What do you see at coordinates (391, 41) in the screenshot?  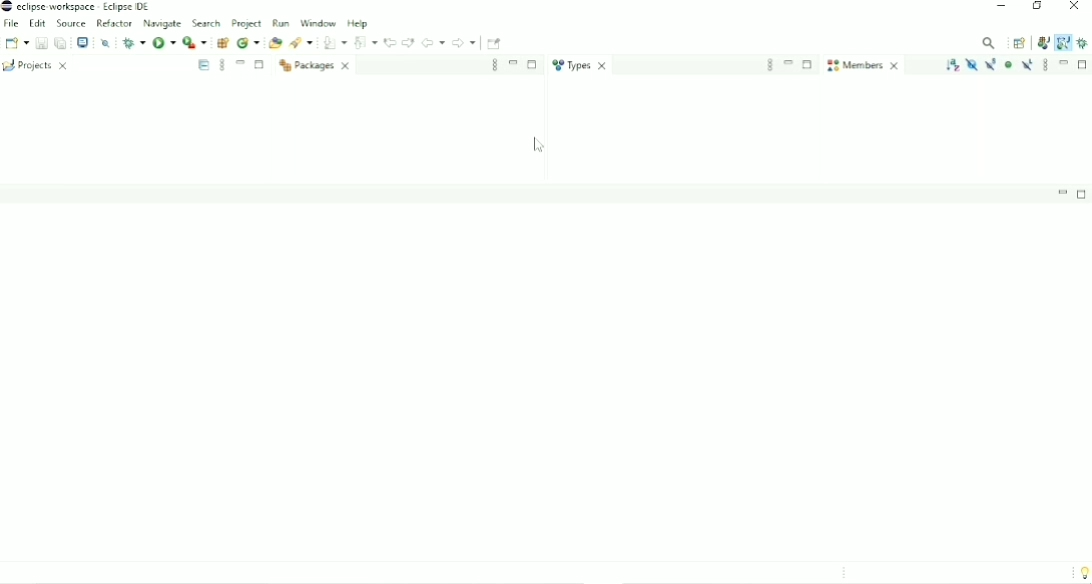 I see `Previous edit location` at bounding box center [391, 41].